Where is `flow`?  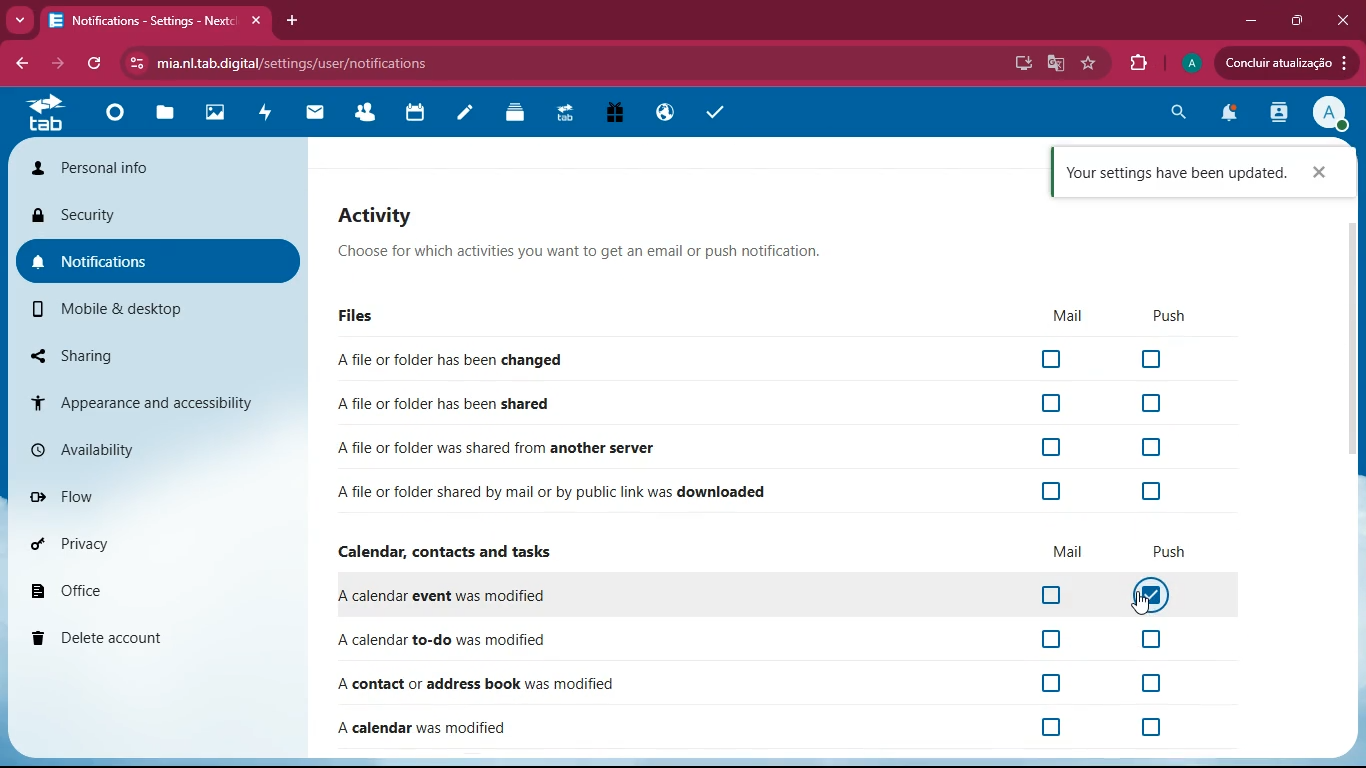
flow is located at coordinates (162, 495).